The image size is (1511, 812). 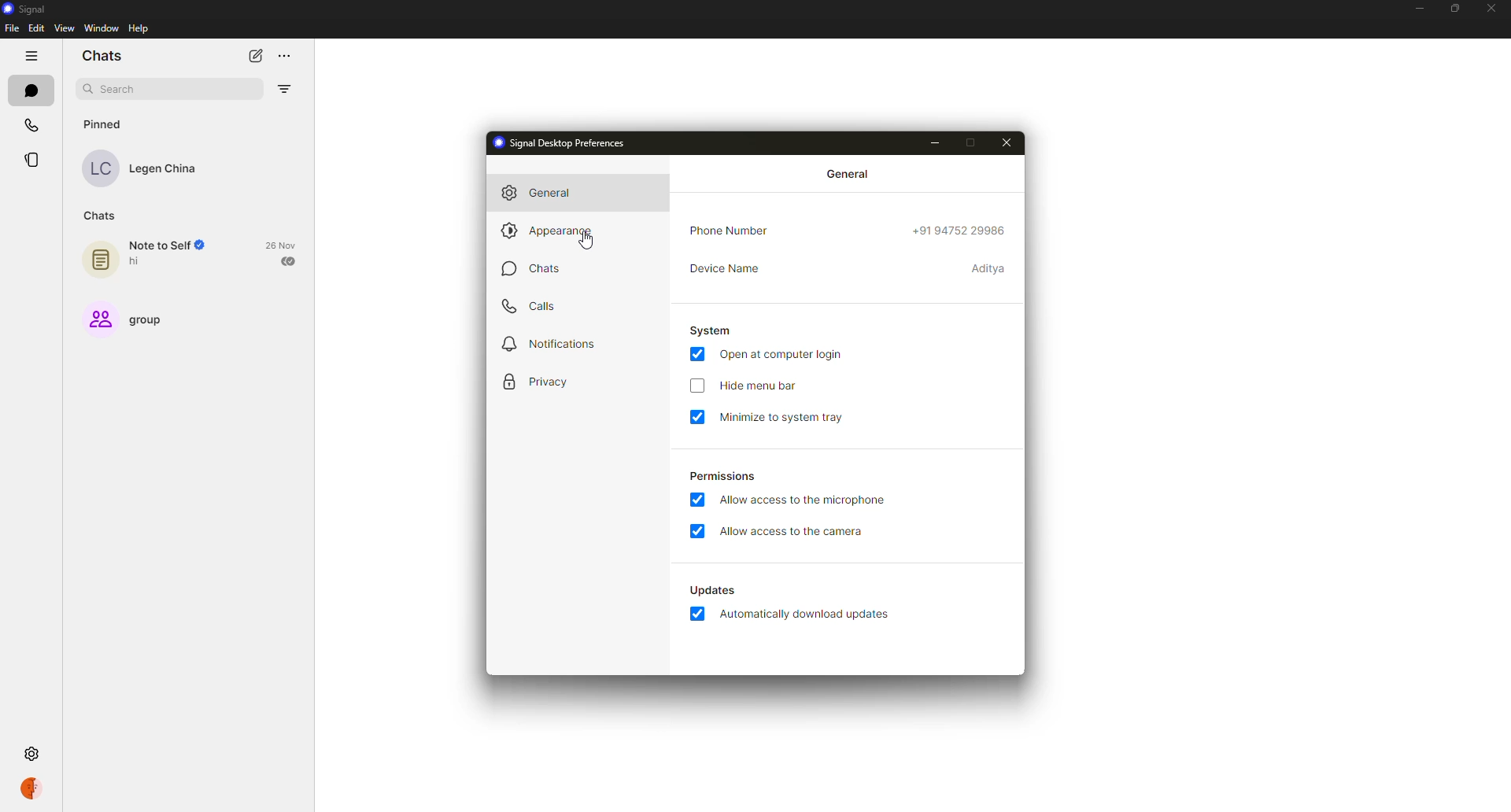 I want to click on more, so click(x=285, y=57).